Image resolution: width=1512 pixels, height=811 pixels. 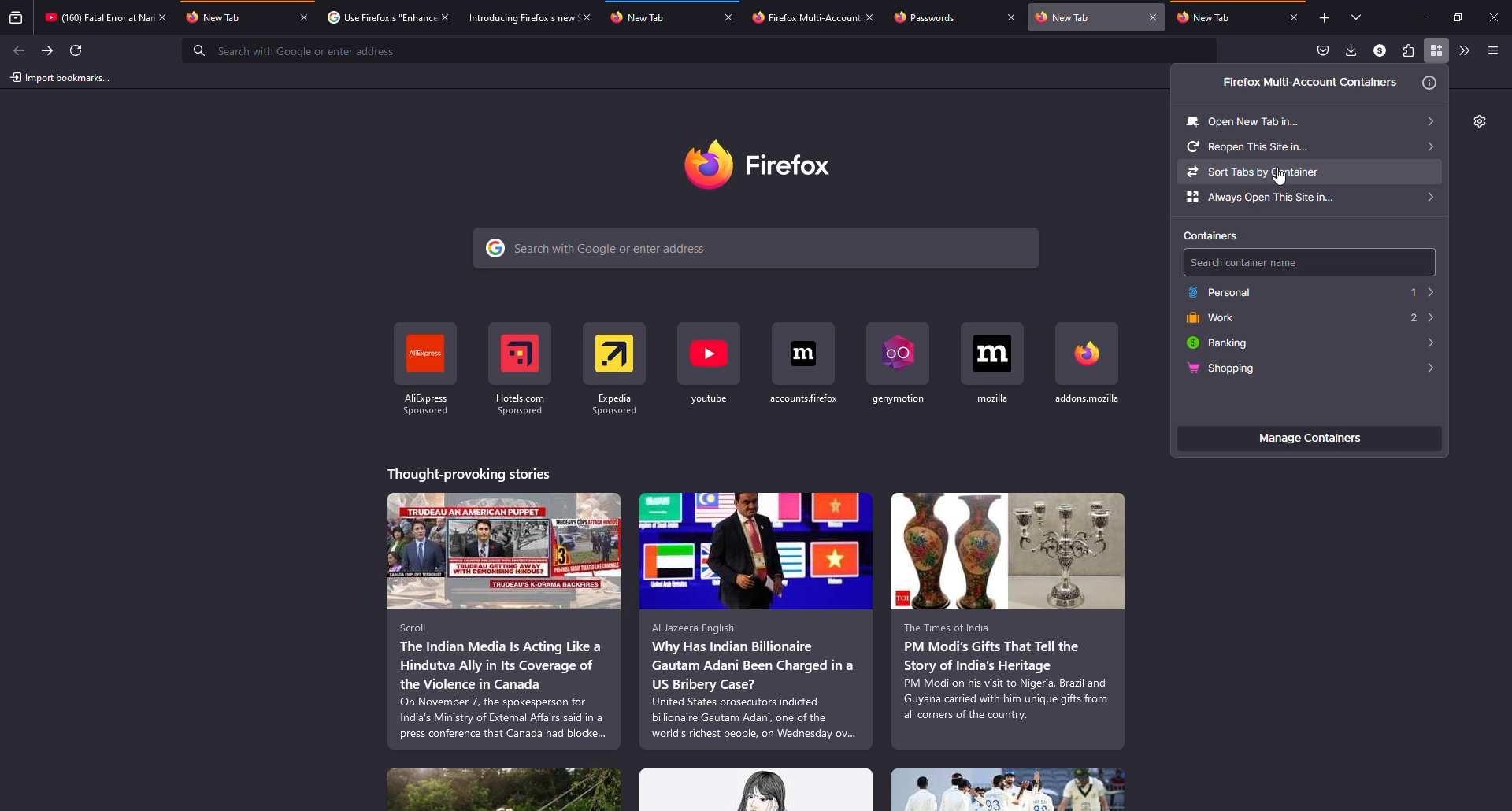 What do you see at coordinates (504, 790) in the screenshot?
I see `stories` at bounding box center [504, 790].